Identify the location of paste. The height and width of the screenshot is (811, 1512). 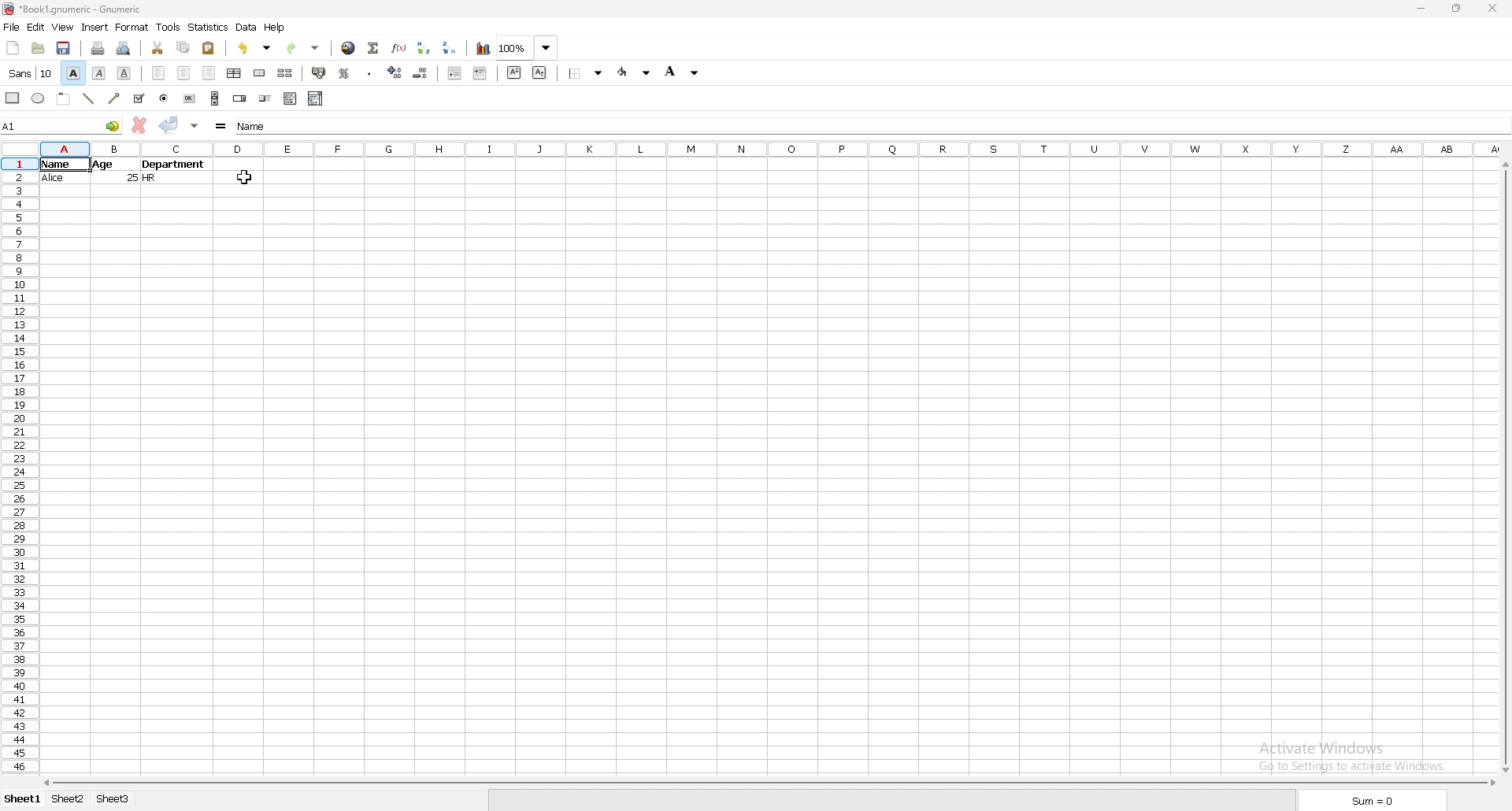
(209, 48).